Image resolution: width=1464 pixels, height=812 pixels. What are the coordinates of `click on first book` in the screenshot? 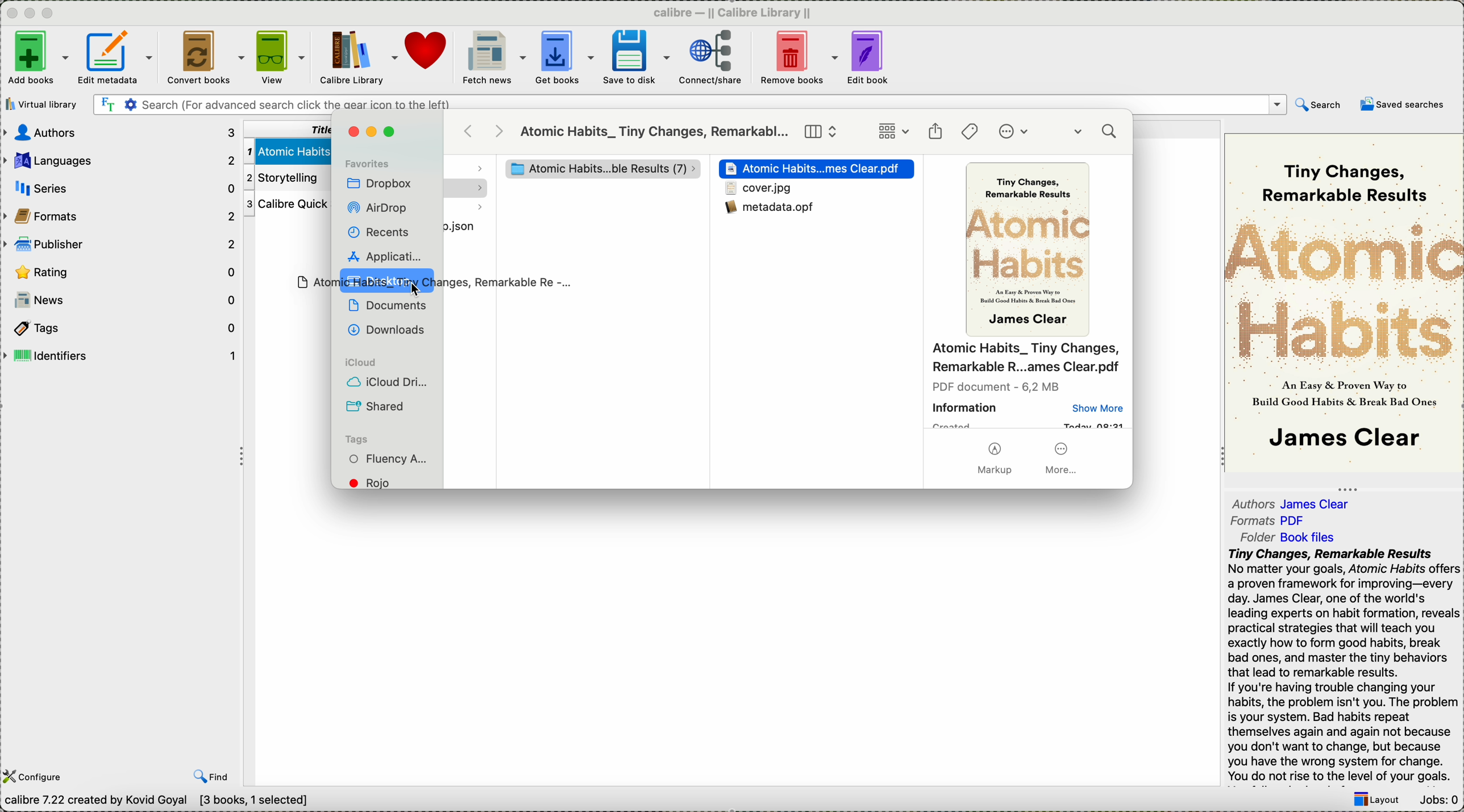 It's located at (285, 149).